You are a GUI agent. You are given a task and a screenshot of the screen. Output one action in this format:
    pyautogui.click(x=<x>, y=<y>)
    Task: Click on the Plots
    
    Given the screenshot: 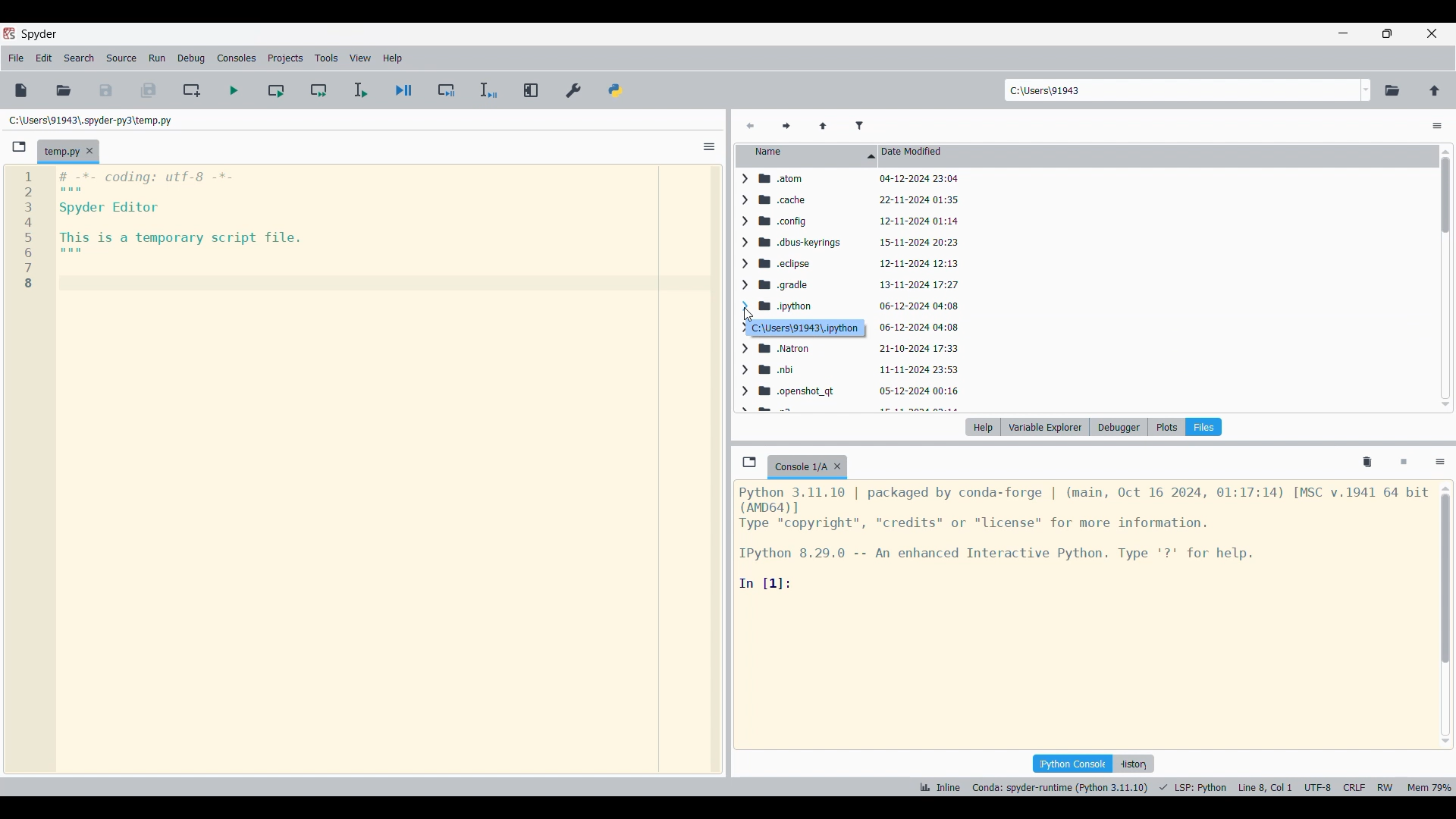 What is the action you would take?
    pyautogui.click(x=1166, y=427)
    